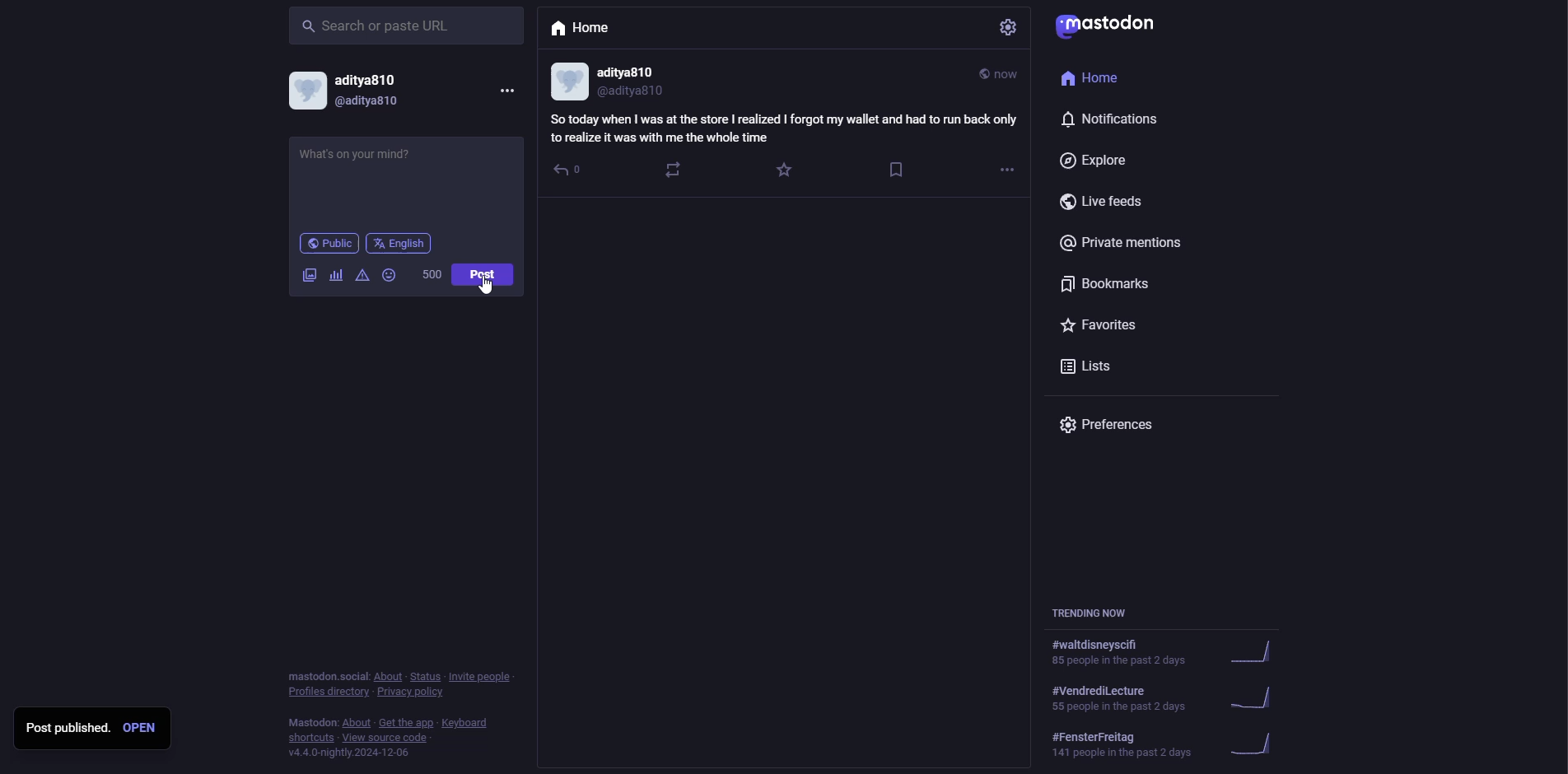 The height and width of the screenshot is (774, 1568). Describe the element at coordinates (364, 276) in the screenshot. I see `advanced` at that location.